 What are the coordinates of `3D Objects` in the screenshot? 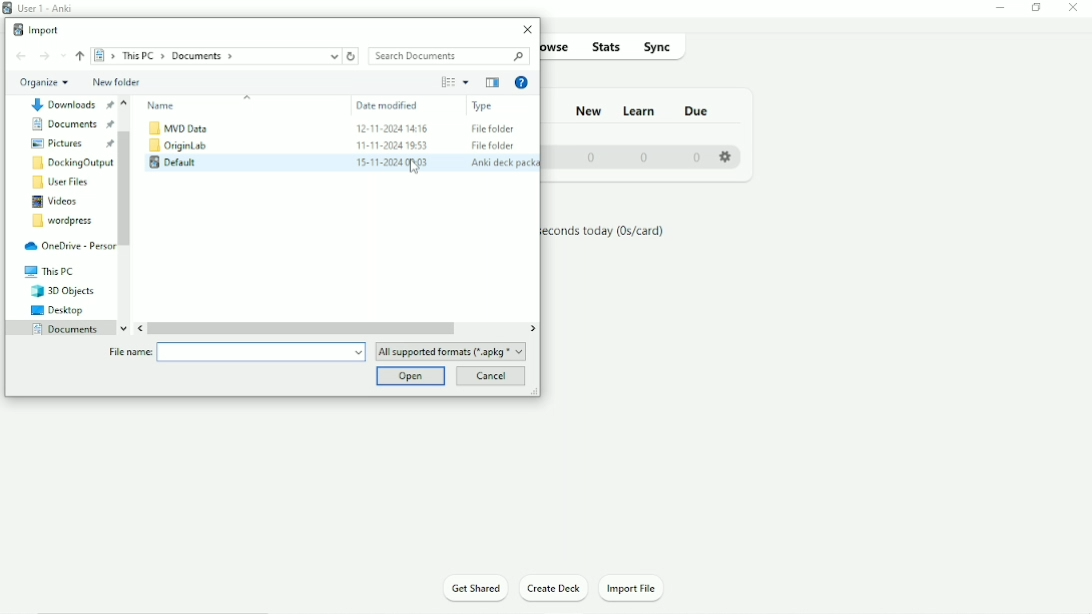 It's located at (62, 291).